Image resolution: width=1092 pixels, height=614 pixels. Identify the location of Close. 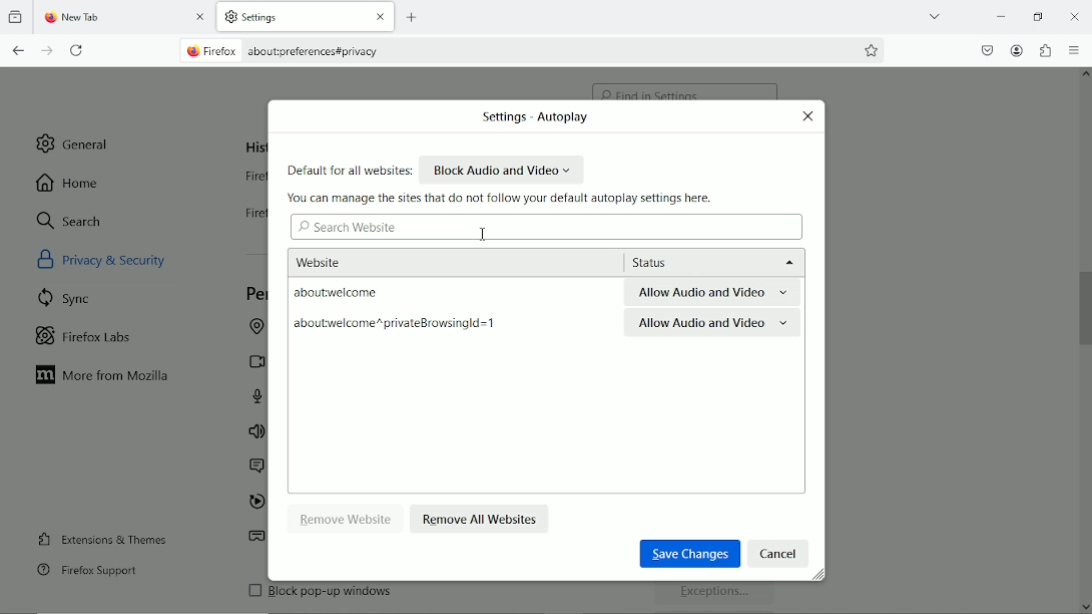
(1076, 18).